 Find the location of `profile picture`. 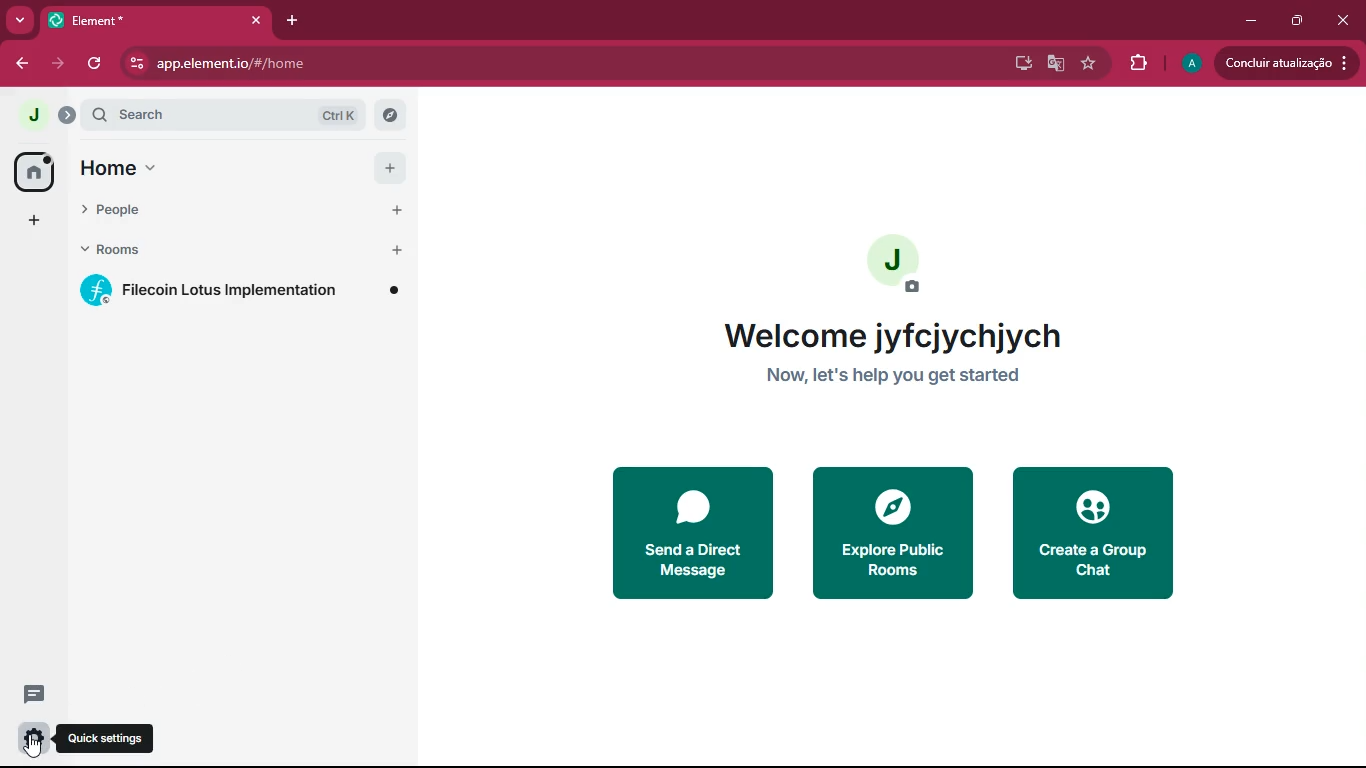

profile picture is located at coordinates (902, 257).